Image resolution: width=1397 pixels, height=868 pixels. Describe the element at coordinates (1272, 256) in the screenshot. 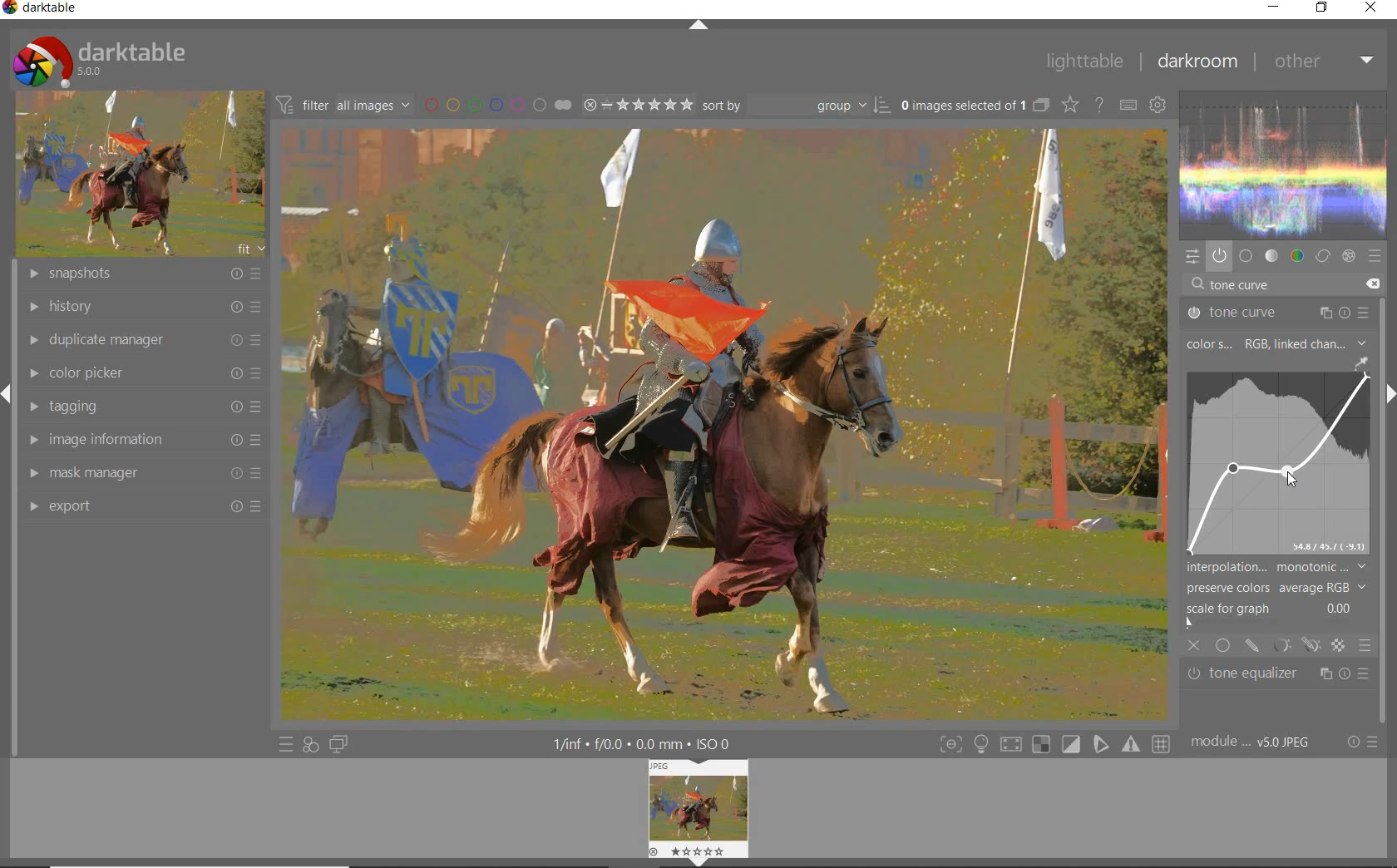

I see `tone` at that location.